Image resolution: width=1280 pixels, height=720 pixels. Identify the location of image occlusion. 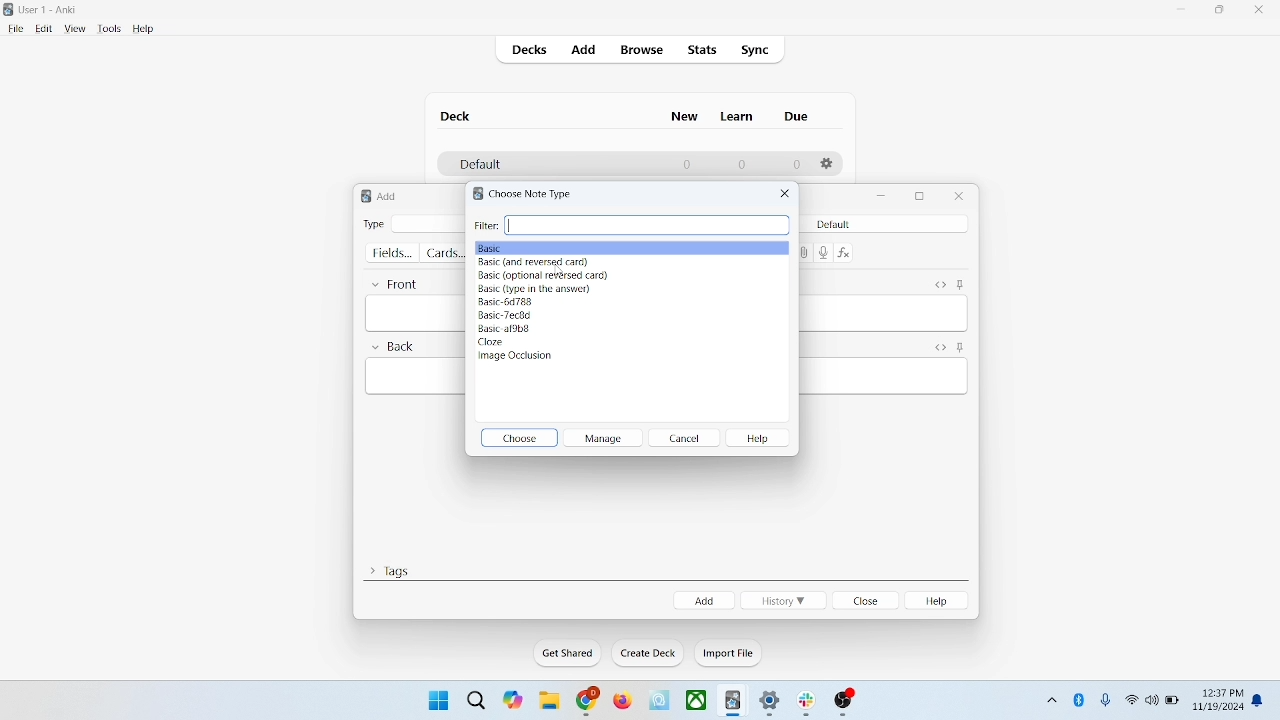
(524, 360).